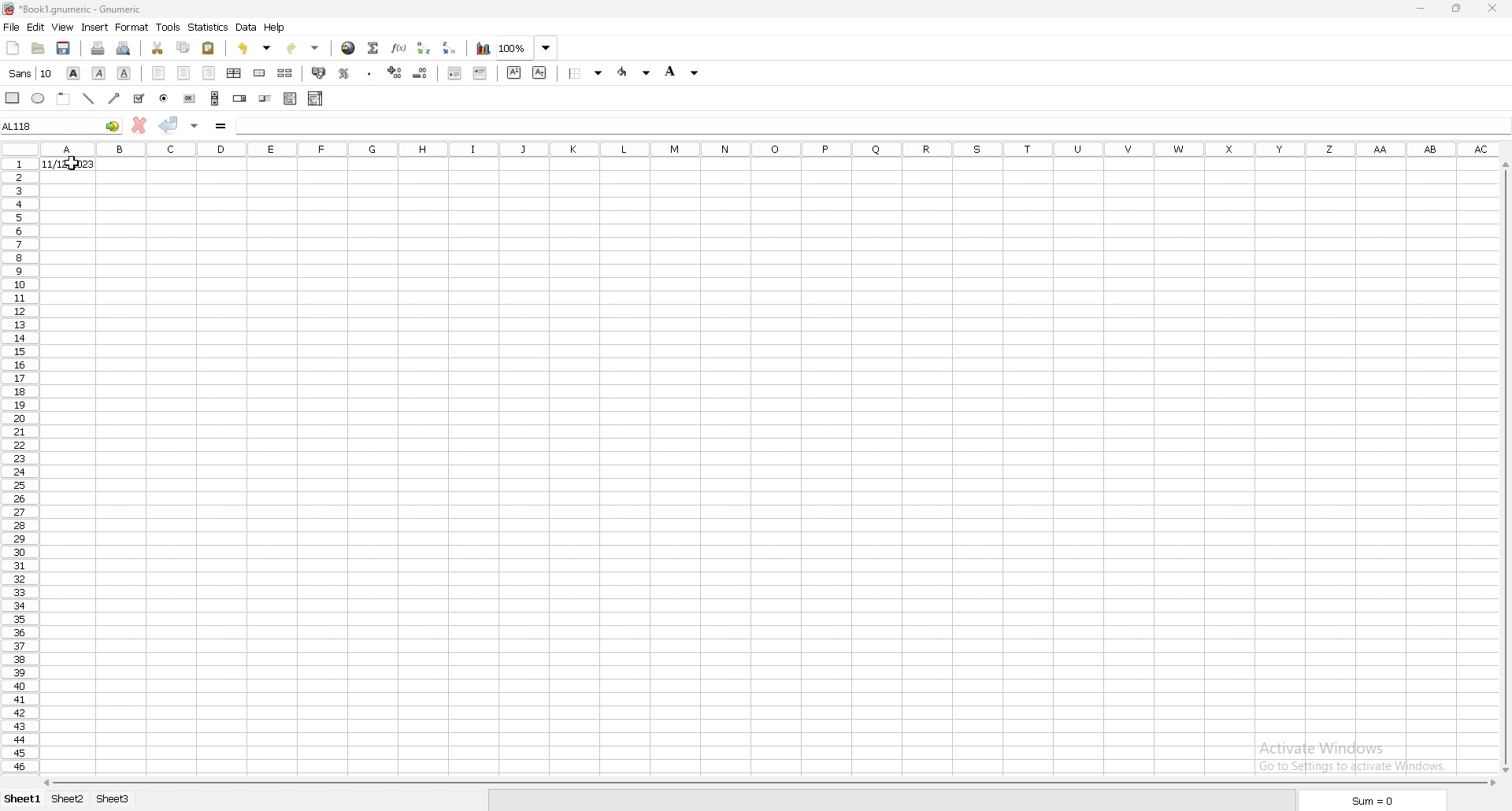 The width and height of the screenshot is (1512, 811). I want to click on increase indent, so click(481, 73).